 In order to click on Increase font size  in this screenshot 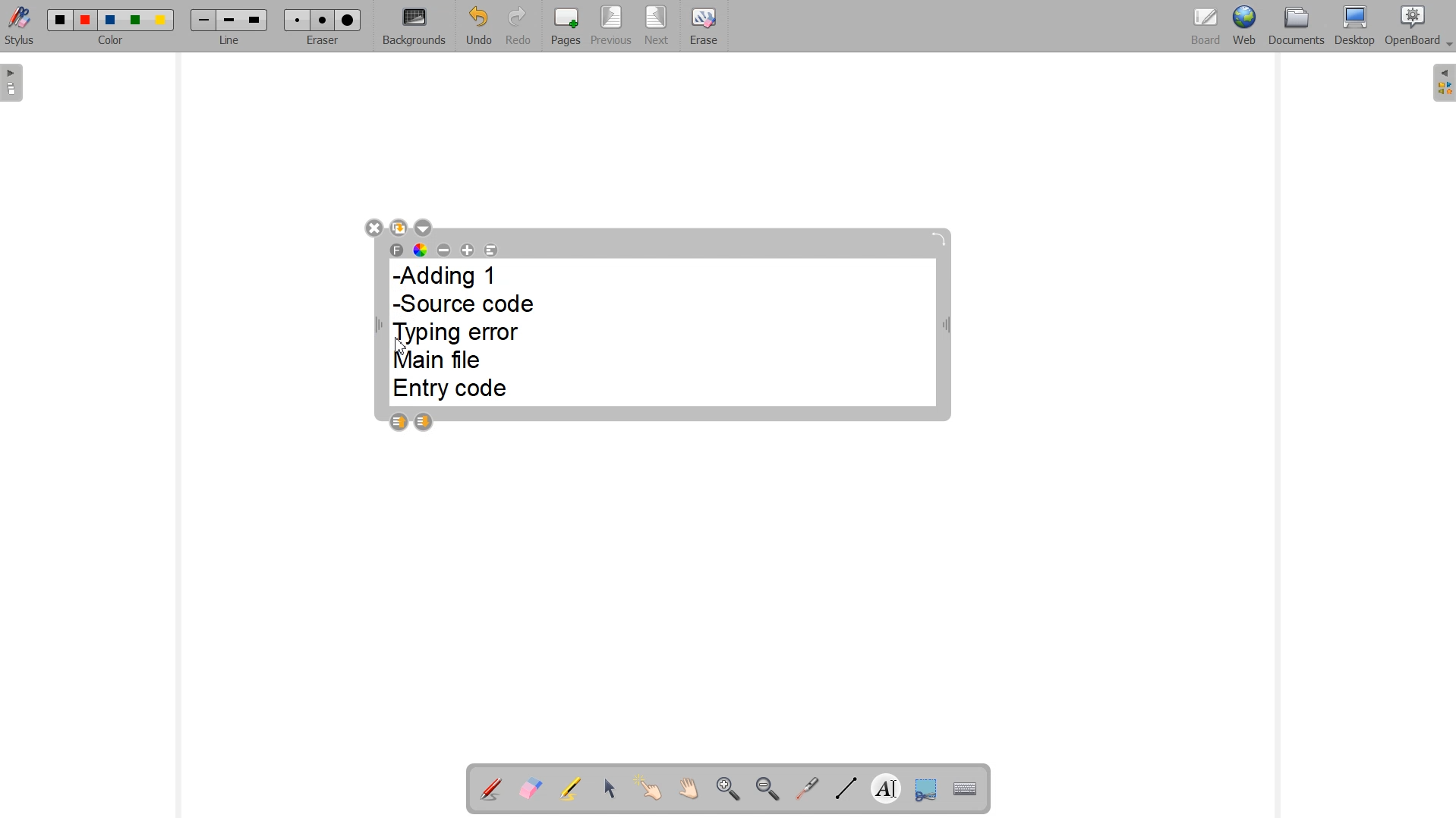, I will do `click(468, 250)`.